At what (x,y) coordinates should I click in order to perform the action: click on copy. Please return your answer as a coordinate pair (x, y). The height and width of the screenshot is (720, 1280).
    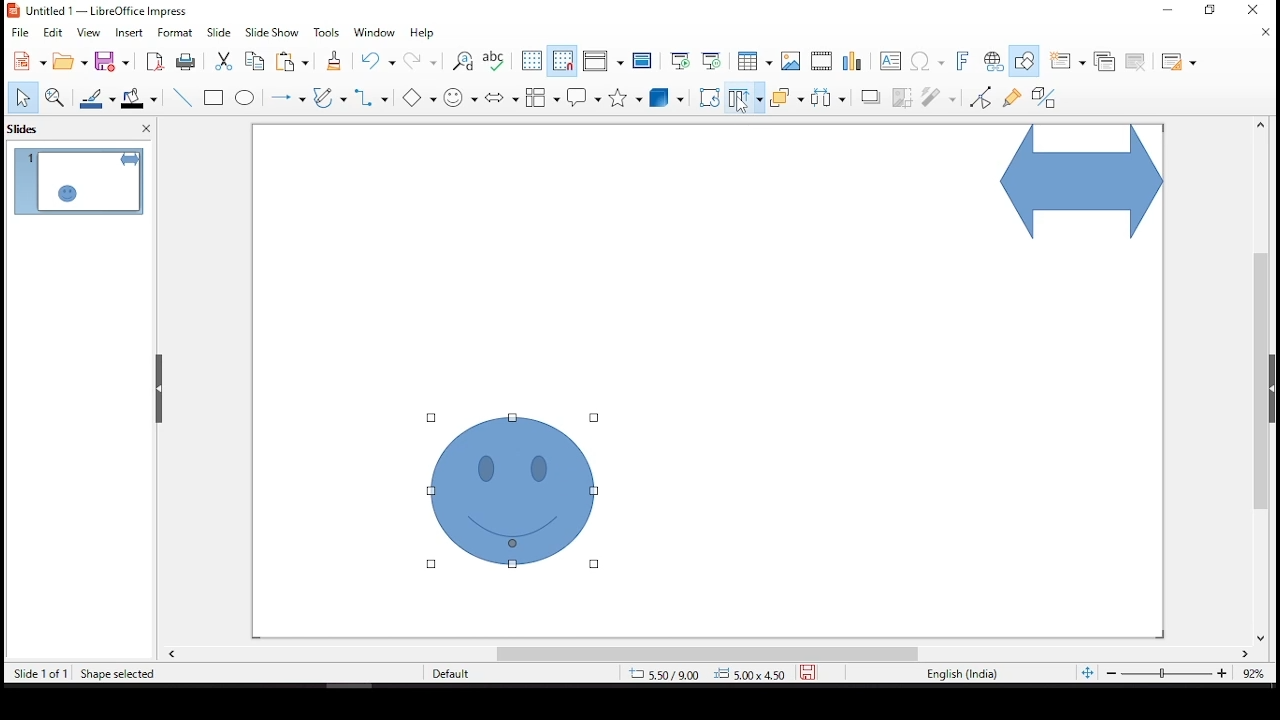
    Looking at the image, I should click on (251, 61).